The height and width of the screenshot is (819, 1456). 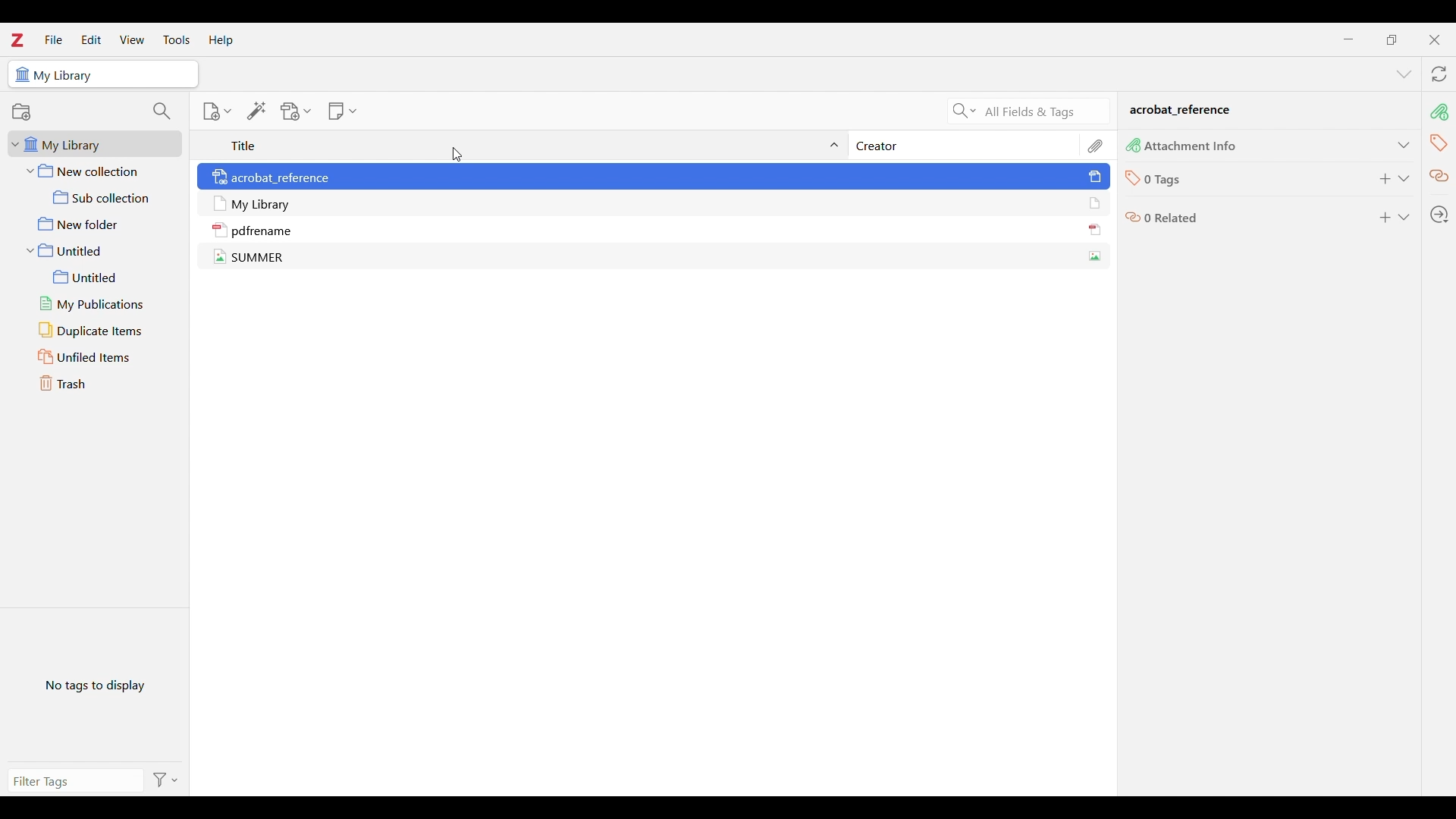 I want to click on Cursor, so click(x=458, y=155).